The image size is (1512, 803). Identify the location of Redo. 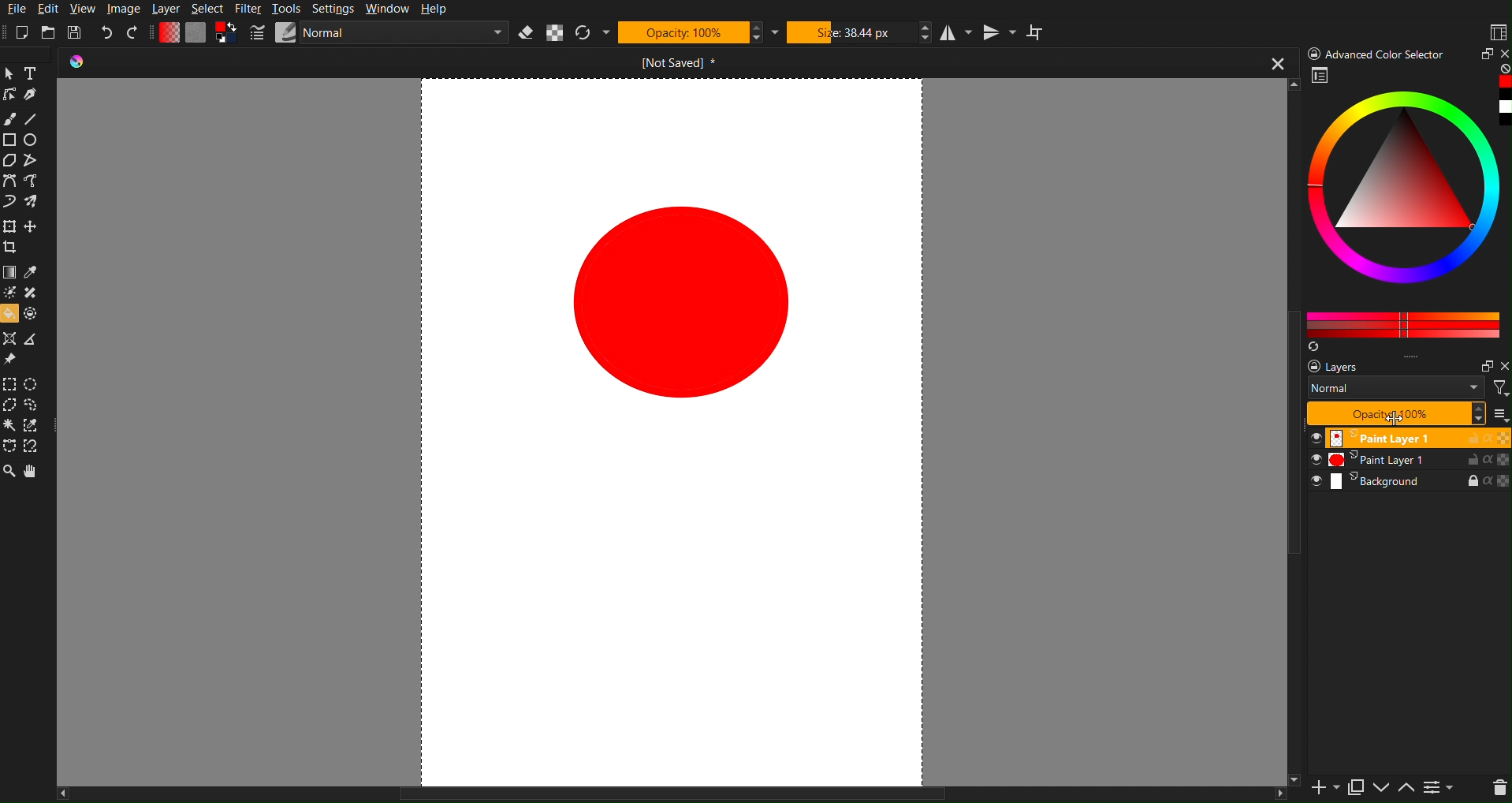
(140, 35).